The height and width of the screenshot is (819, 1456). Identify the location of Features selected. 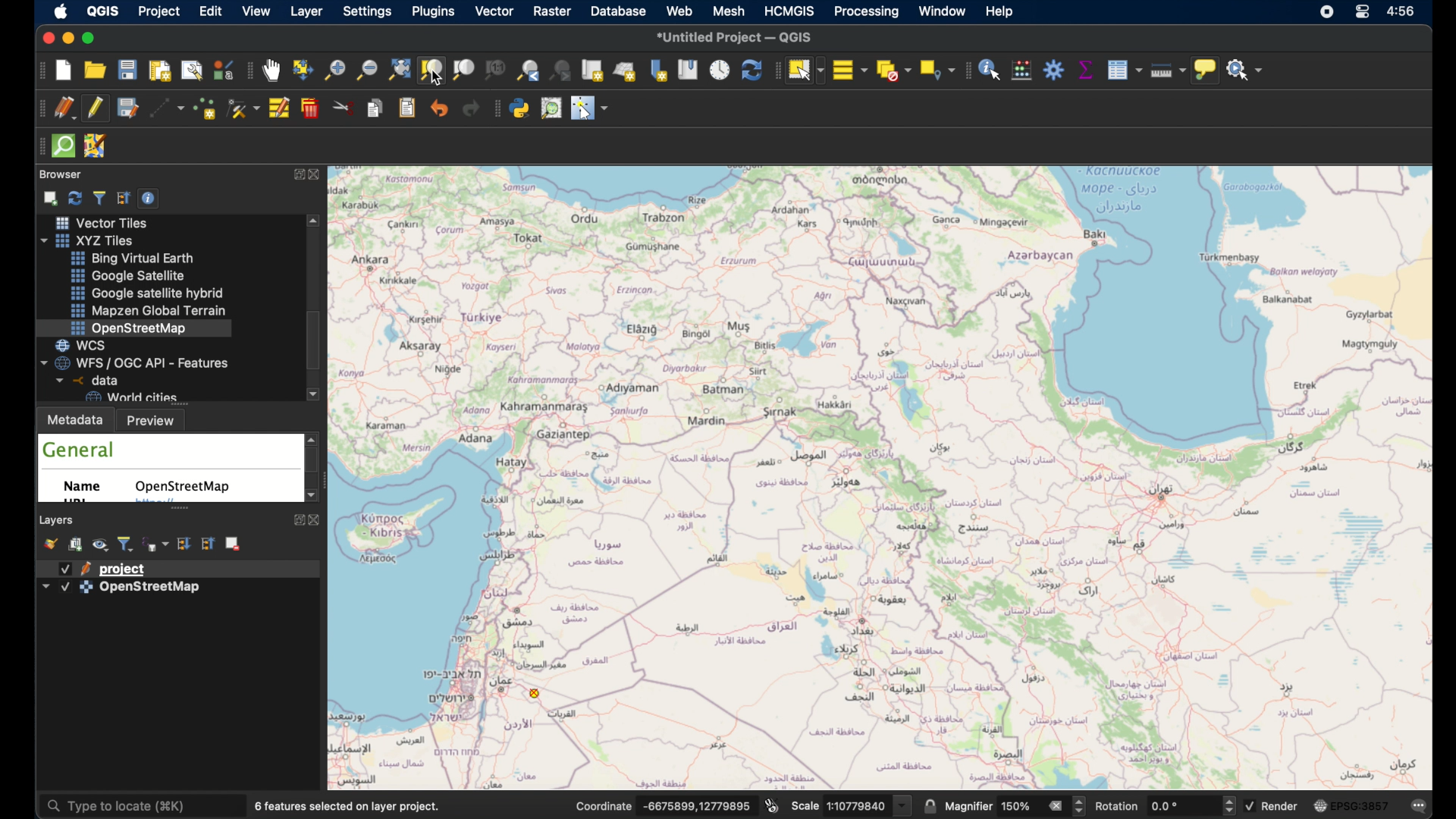
(350, 806).